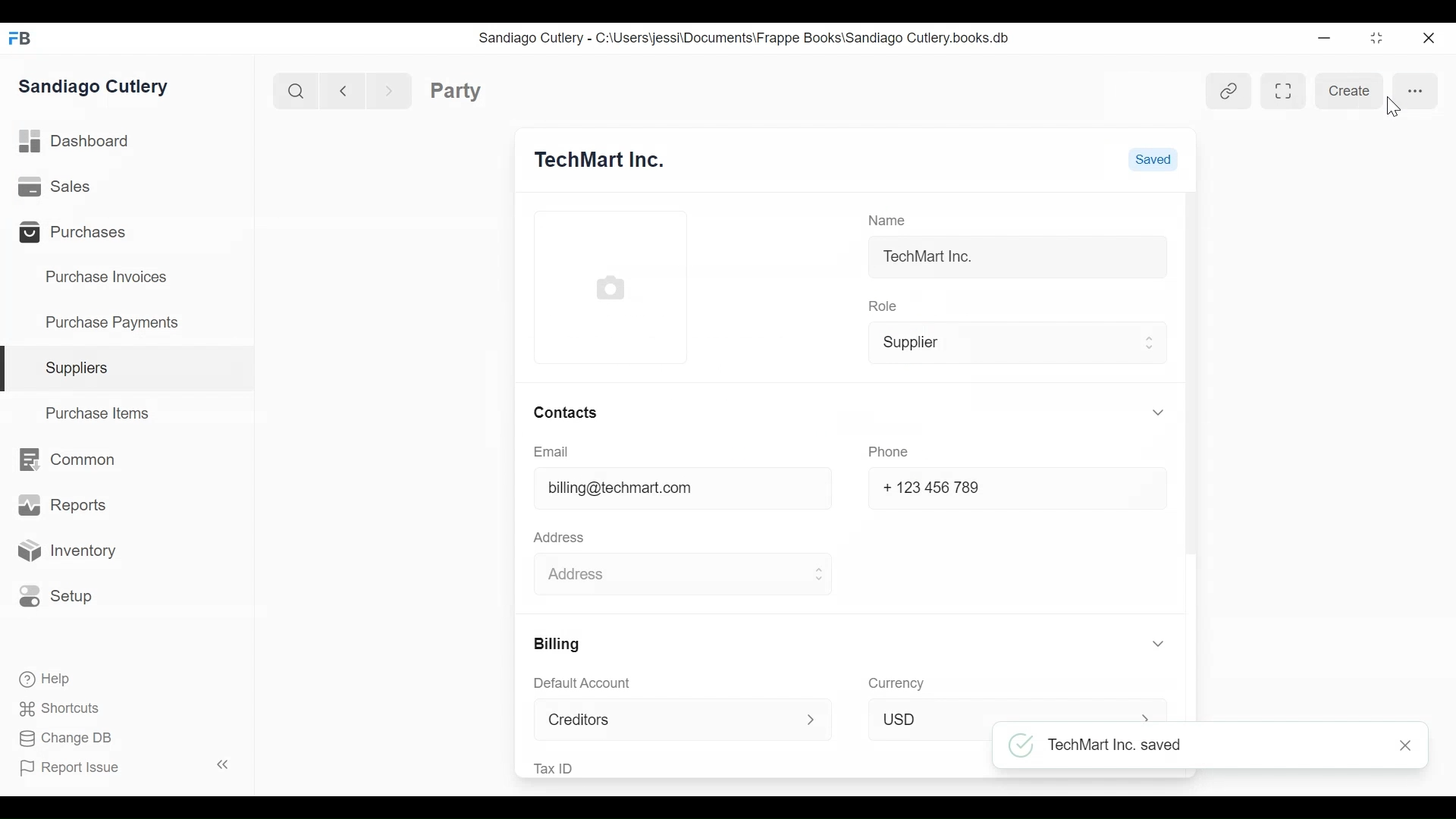 The height and width of the screenshot is (819, 1456). Describe the element at coordinates (82, 234) in the screenshot. I see `Purchases` at that location.